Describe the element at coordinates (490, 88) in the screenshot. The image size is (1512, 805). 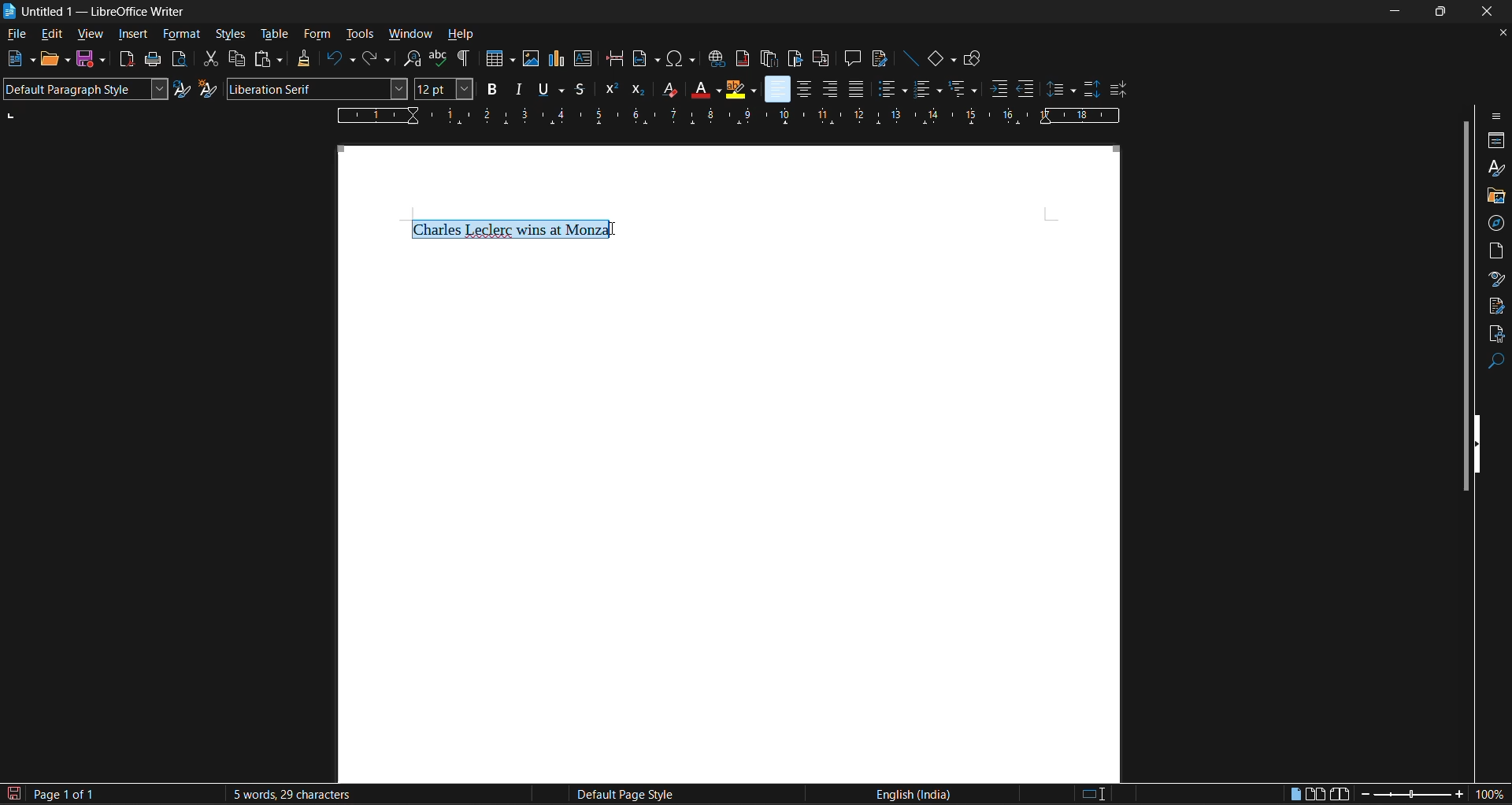
I see `bold` at that location.